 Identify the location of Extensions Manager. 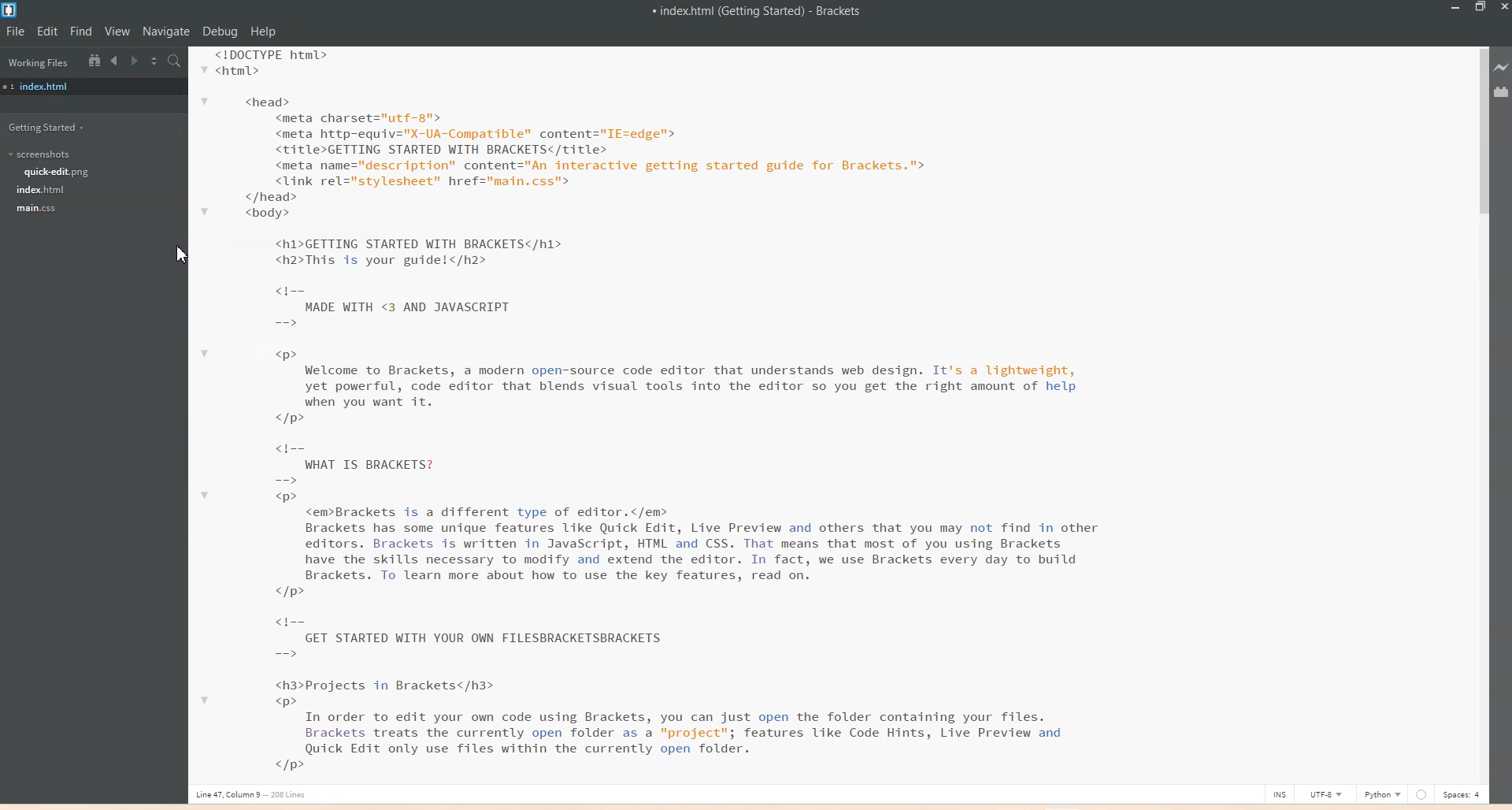
(1502, 92).